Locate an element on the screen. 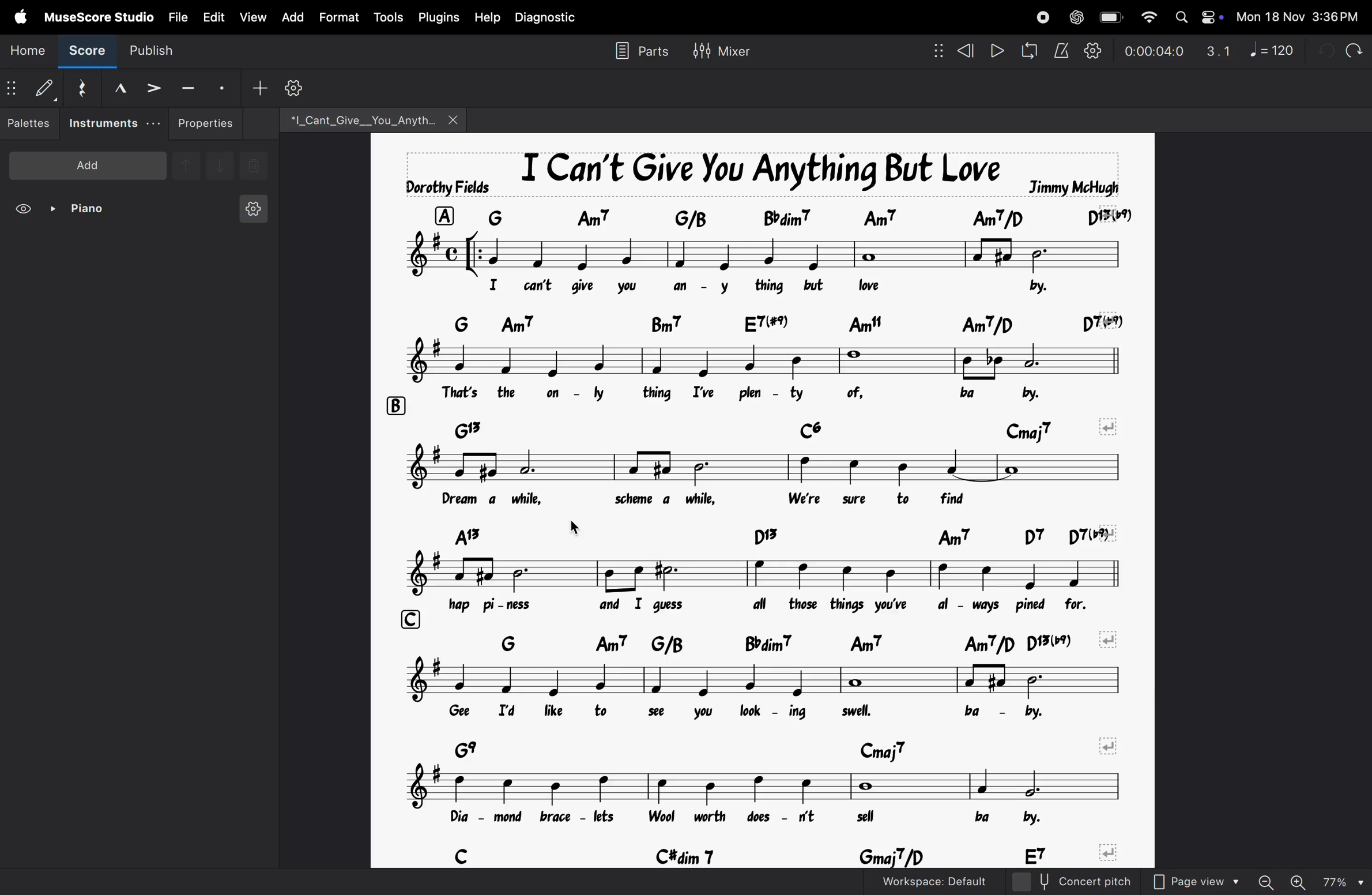 The image size is (1372, 895). help is located at coordinates (485, 16).